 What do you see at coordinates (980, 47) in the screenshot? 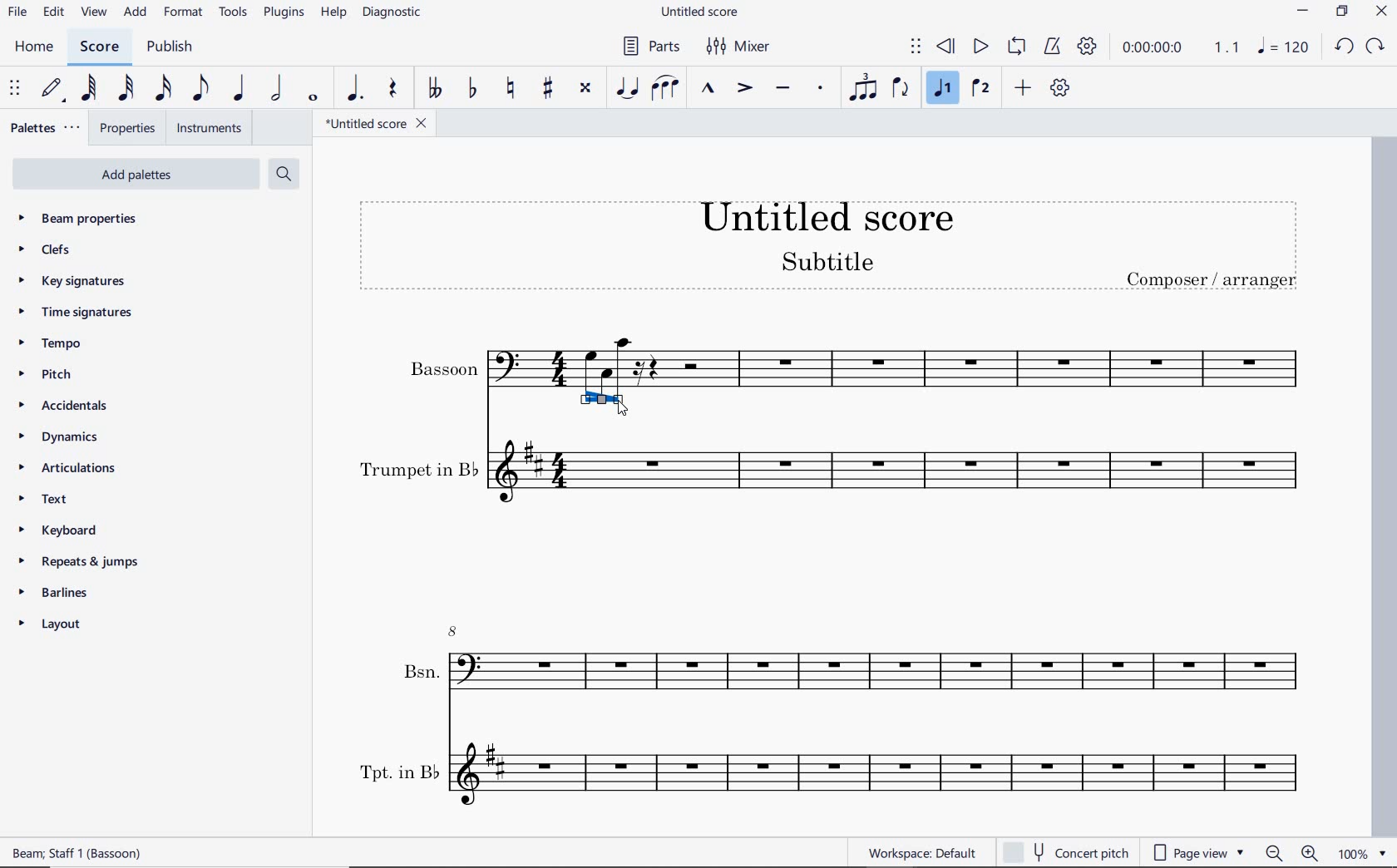
I see `play` at bounding box center [980, 47].